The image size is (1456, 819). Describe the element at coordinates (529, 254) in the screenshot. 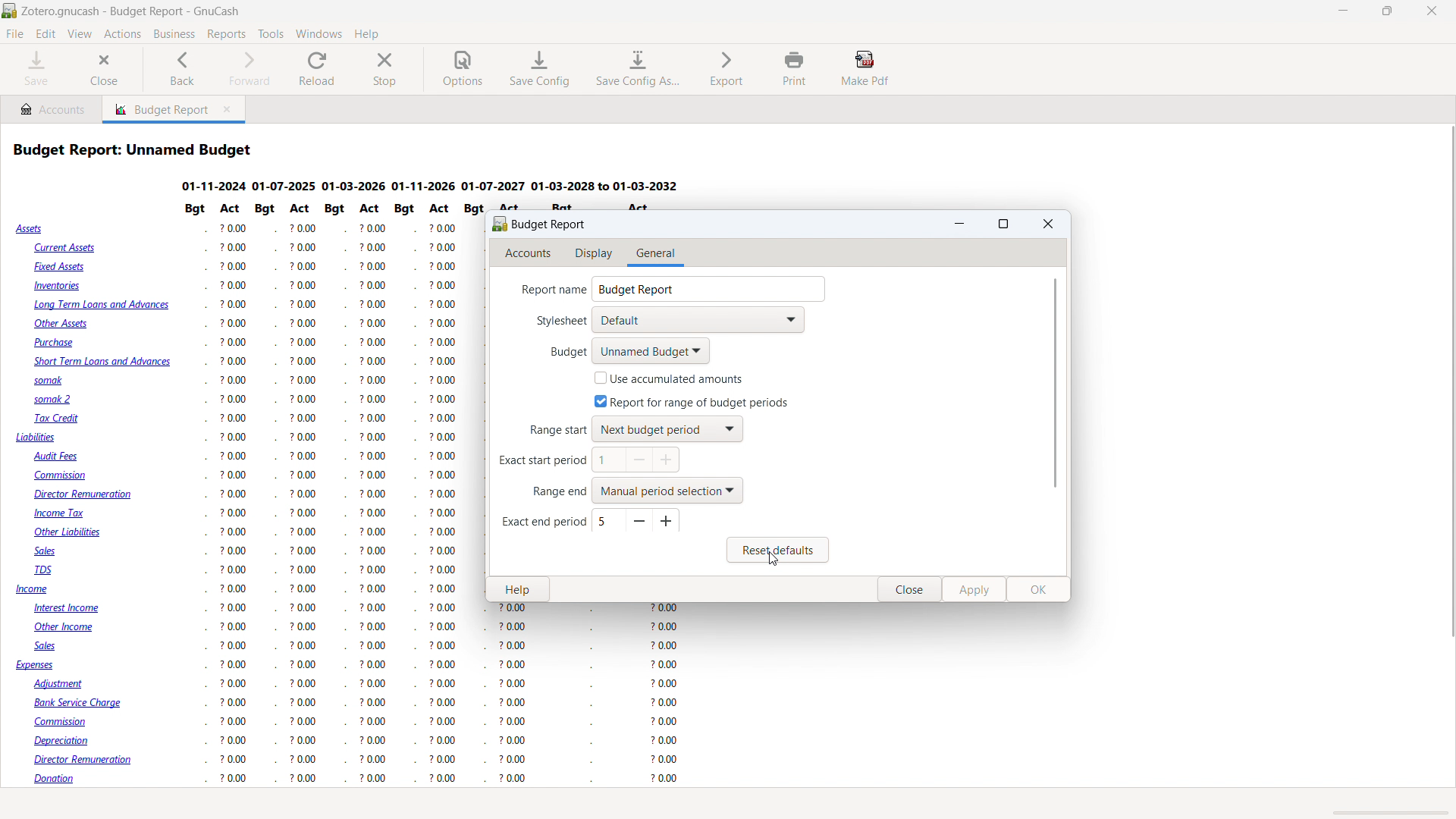

I see `accounts` at that location.